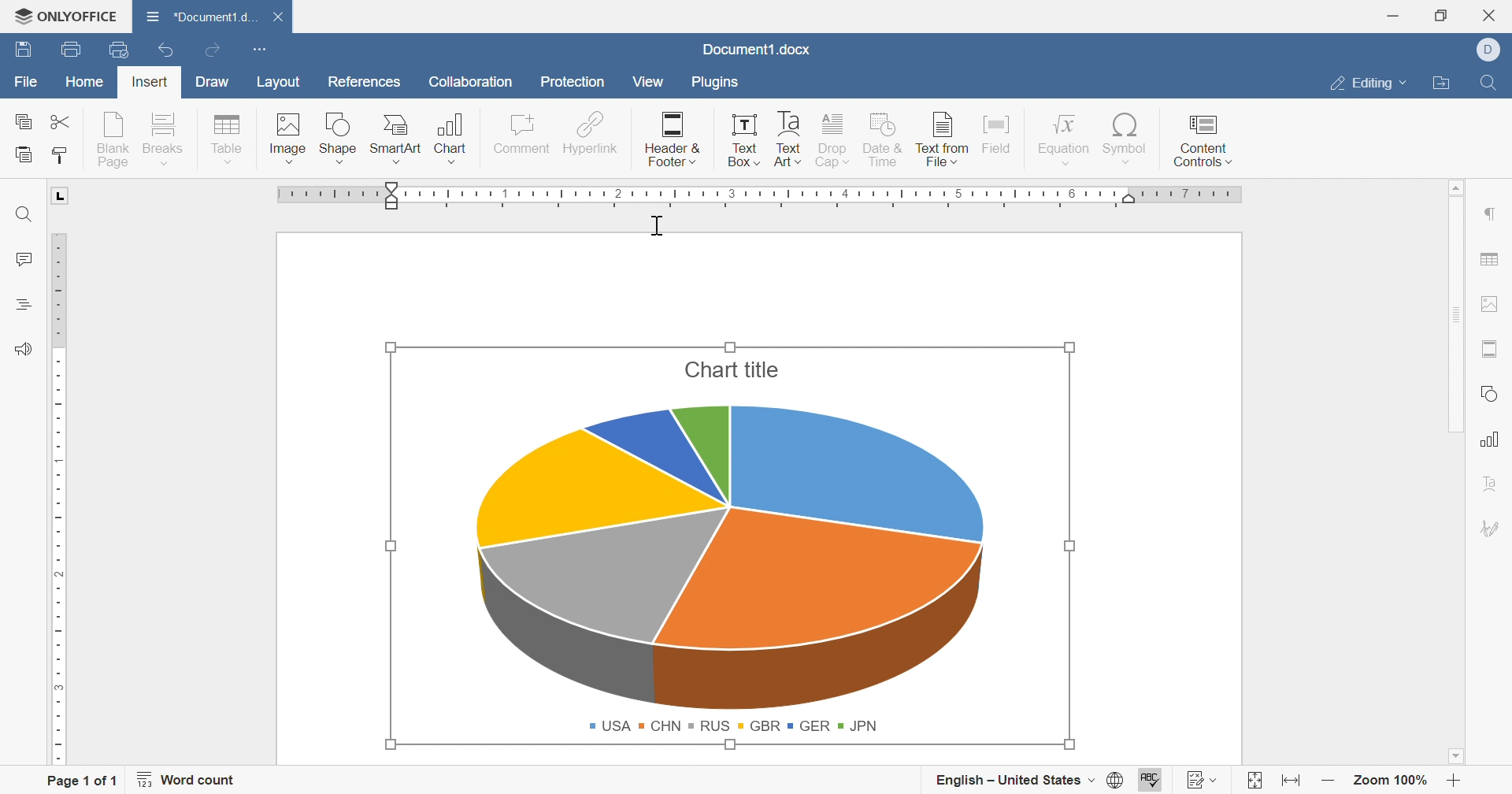 The image size is (1512, 794). Describe the element at coordinates (1495, 439) in the screenshot. I see `Chart settings` at that location.